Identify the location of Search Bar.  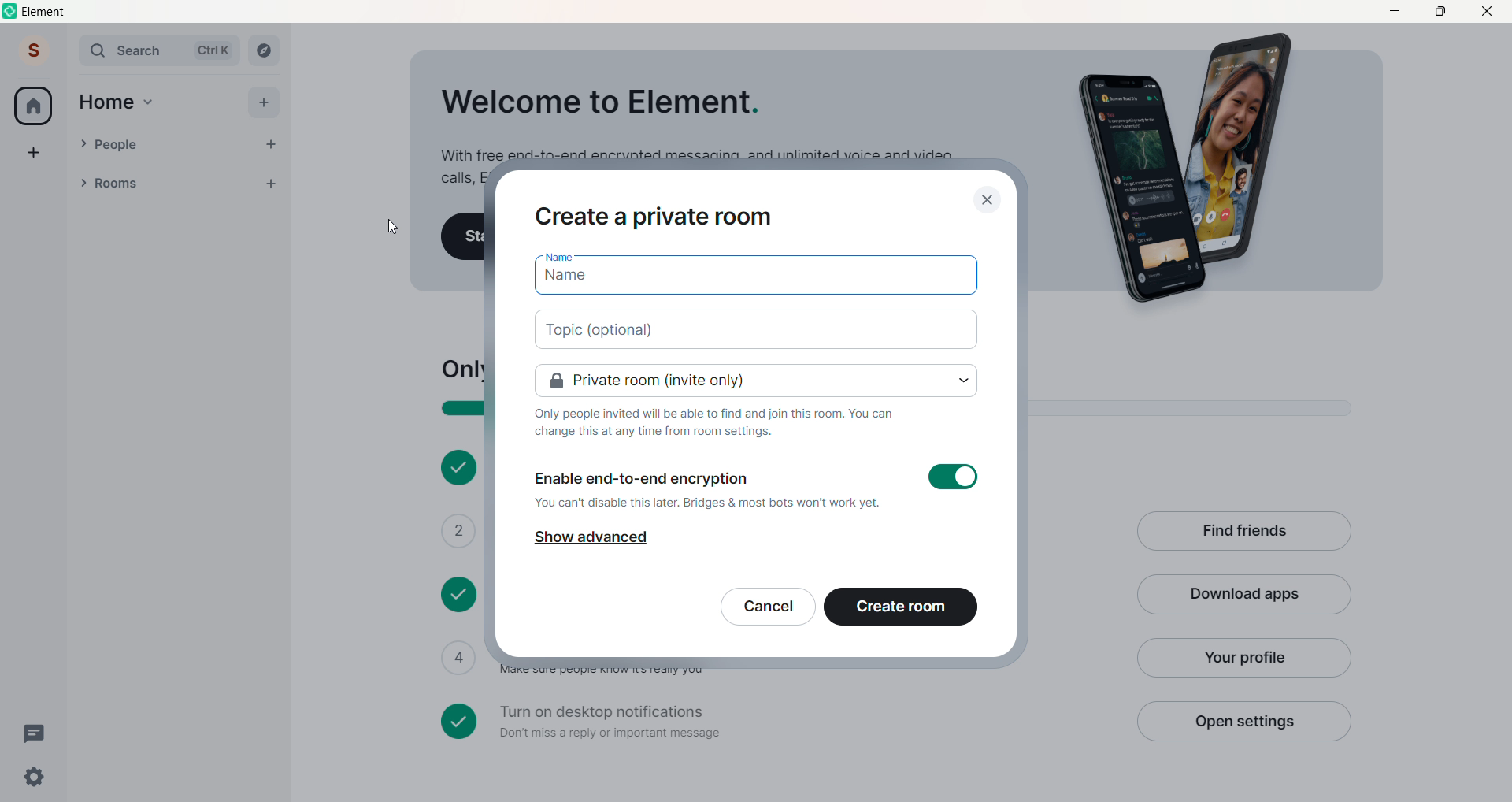
(131, 50).